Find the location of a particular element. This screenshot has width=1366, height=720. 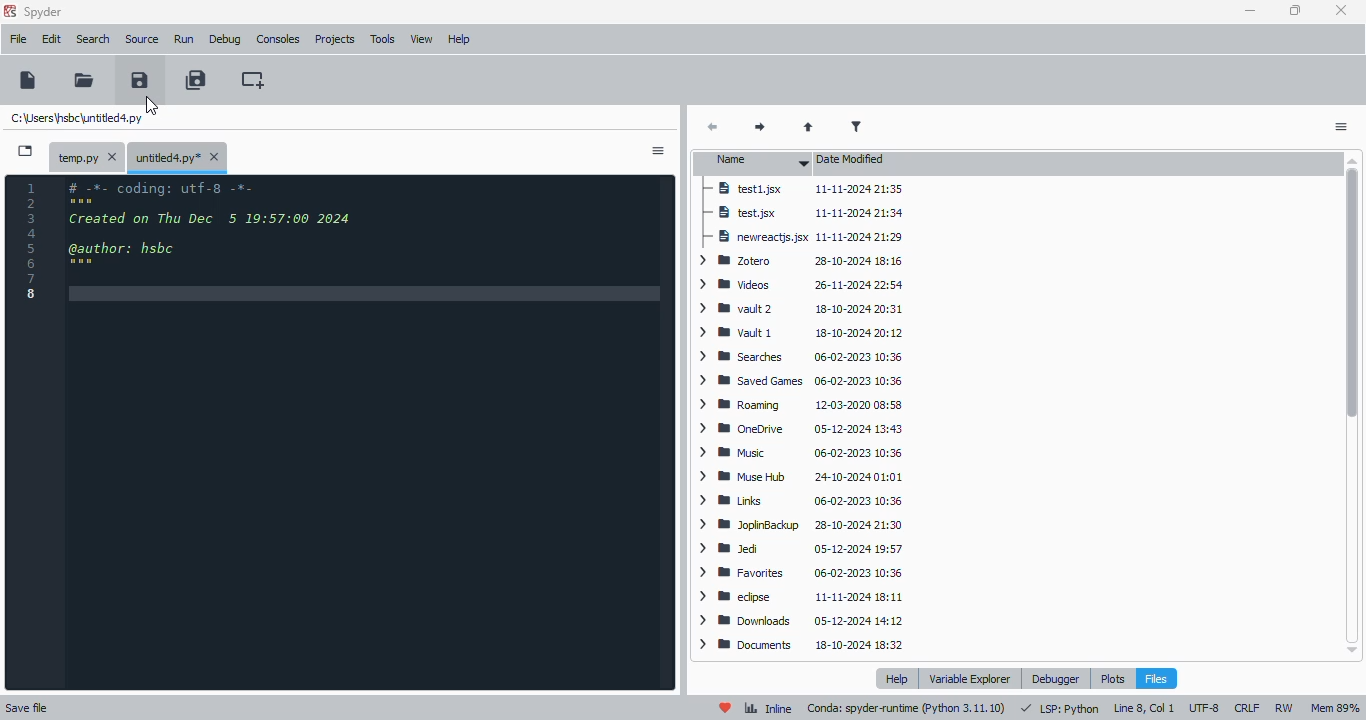

LSP: Python is located at coordinates (1059, 709).